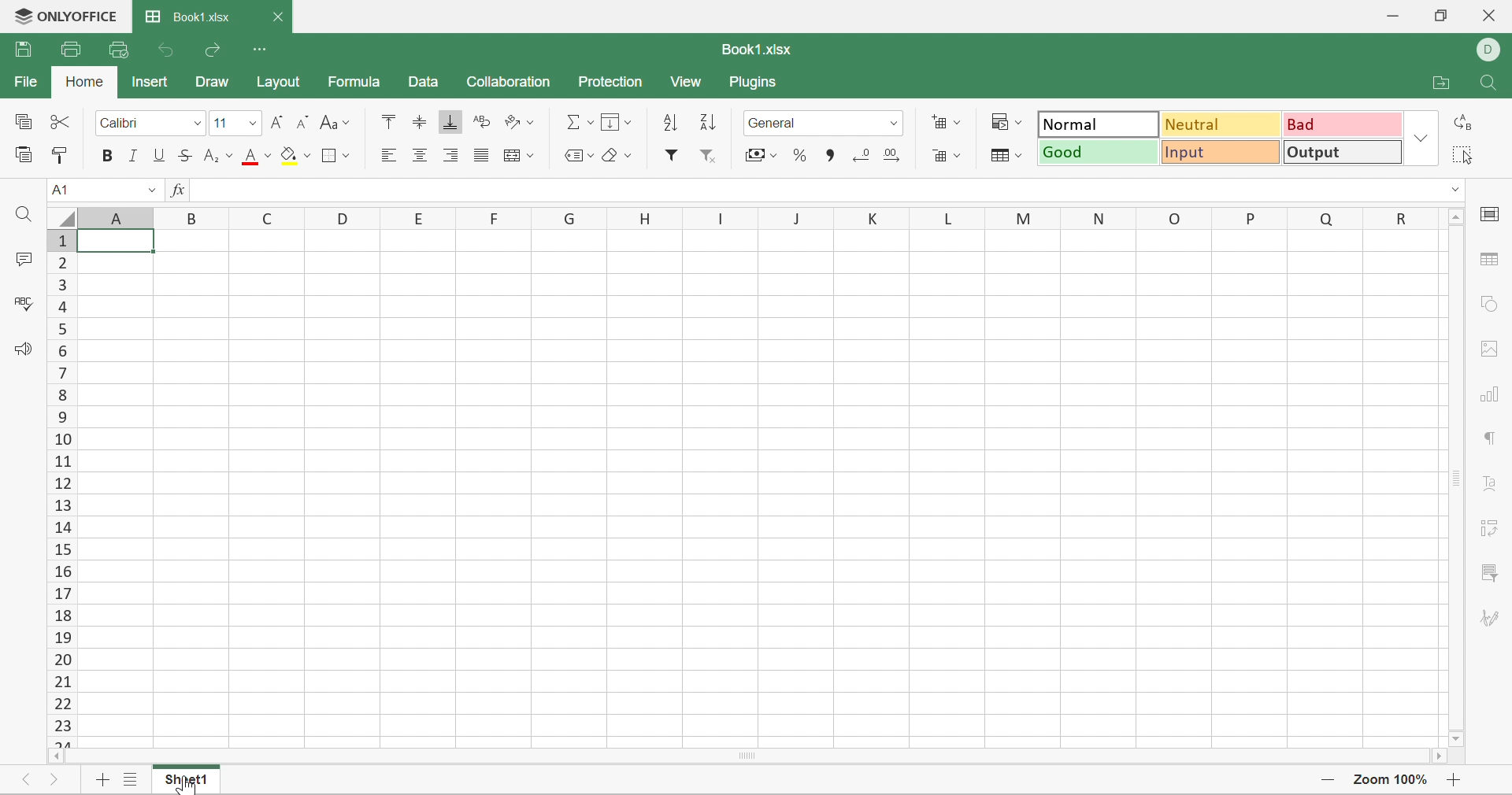  Describe the element at coordinates (133, 781) in the screenshot. I see `List of sheets` at that location.